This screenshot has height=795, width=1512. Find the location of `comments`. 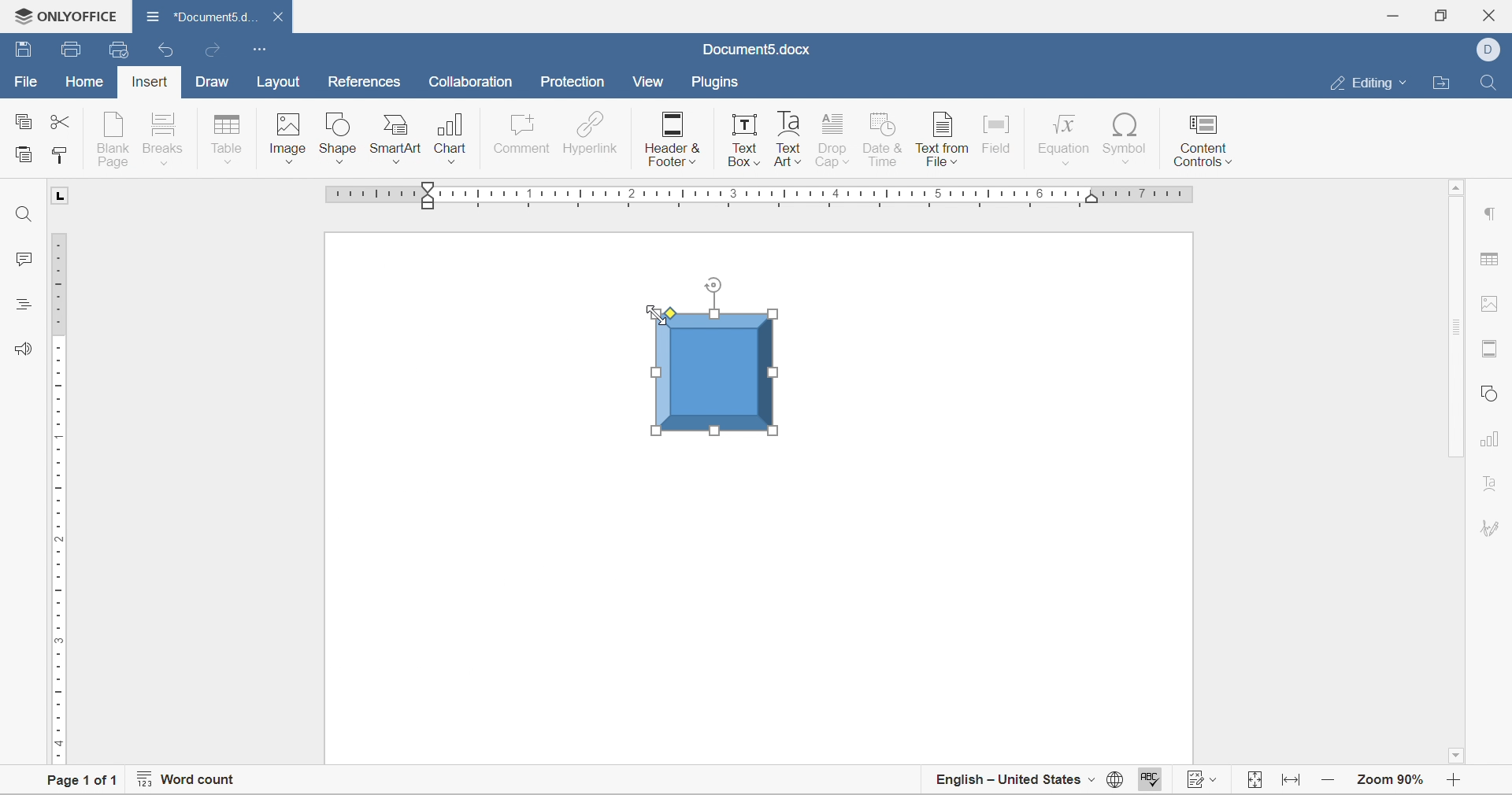

comments is located at coordinates (24, 261).